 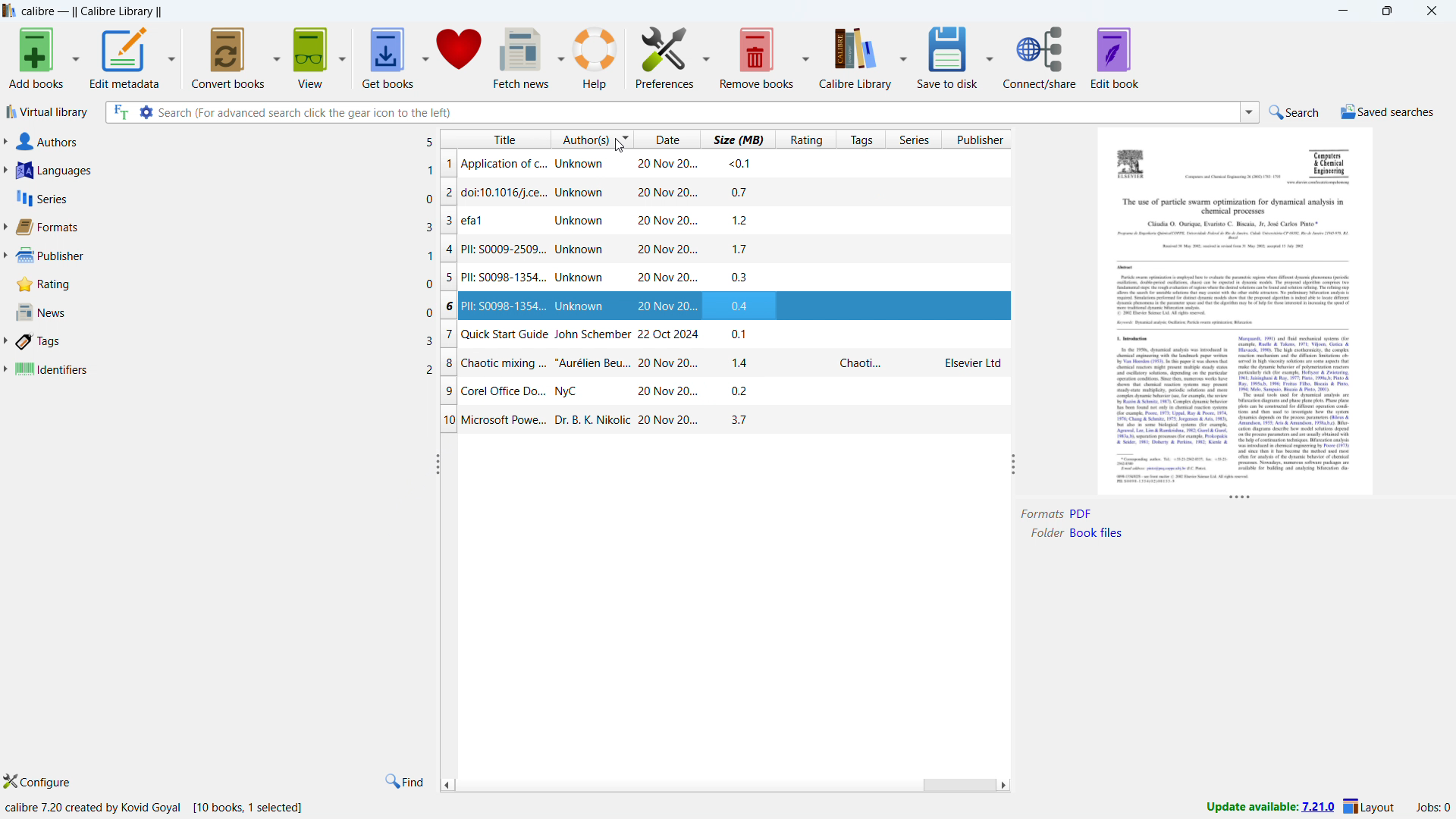 I want to click on rating, so click(x=223, y=284).